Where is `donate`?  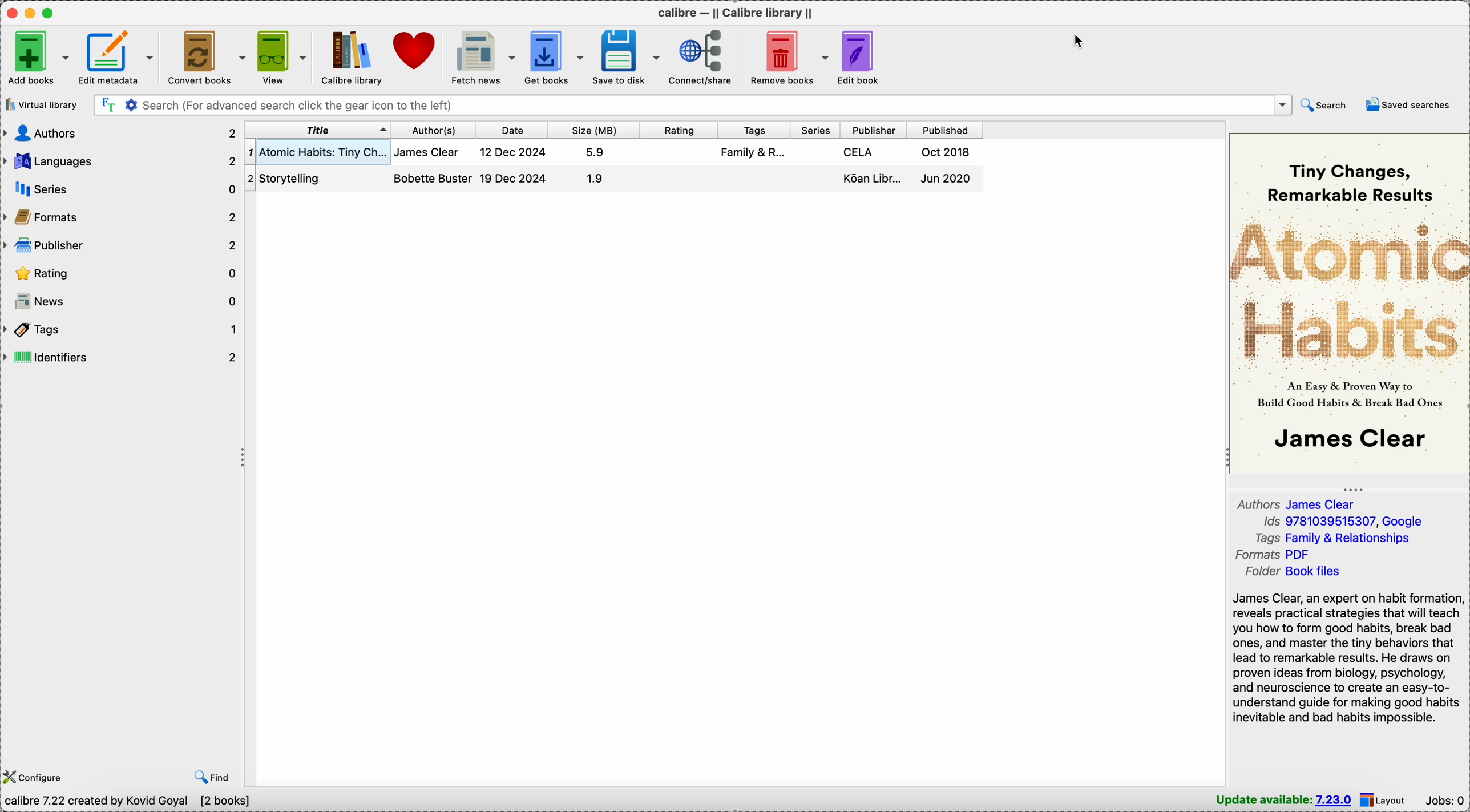 donate is located at coordinates (413, 49).